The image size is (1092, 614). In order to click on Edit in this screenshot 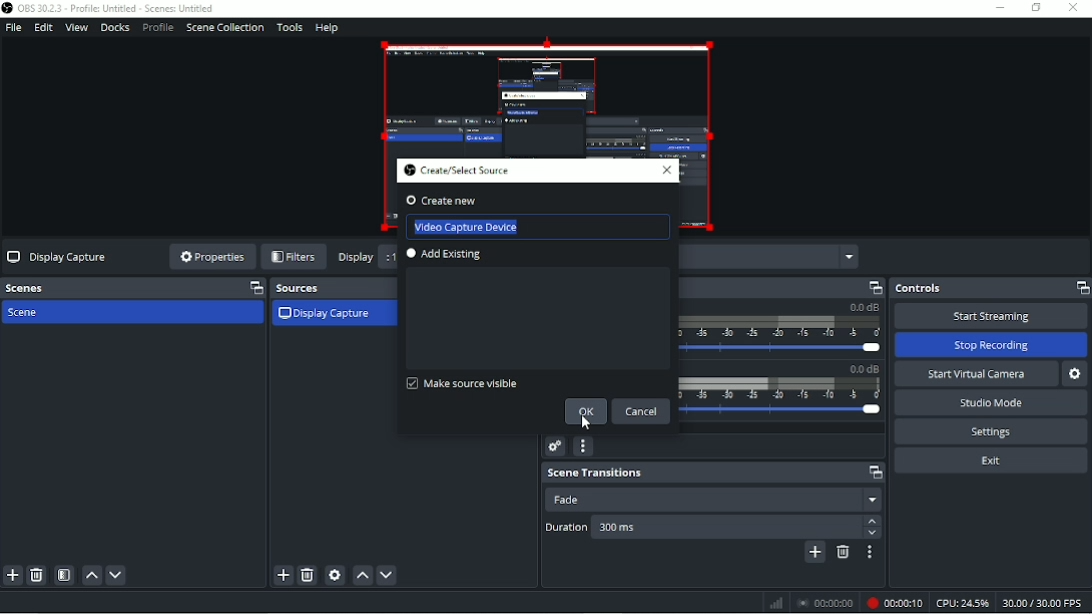, I will do `click(44, 27)`.